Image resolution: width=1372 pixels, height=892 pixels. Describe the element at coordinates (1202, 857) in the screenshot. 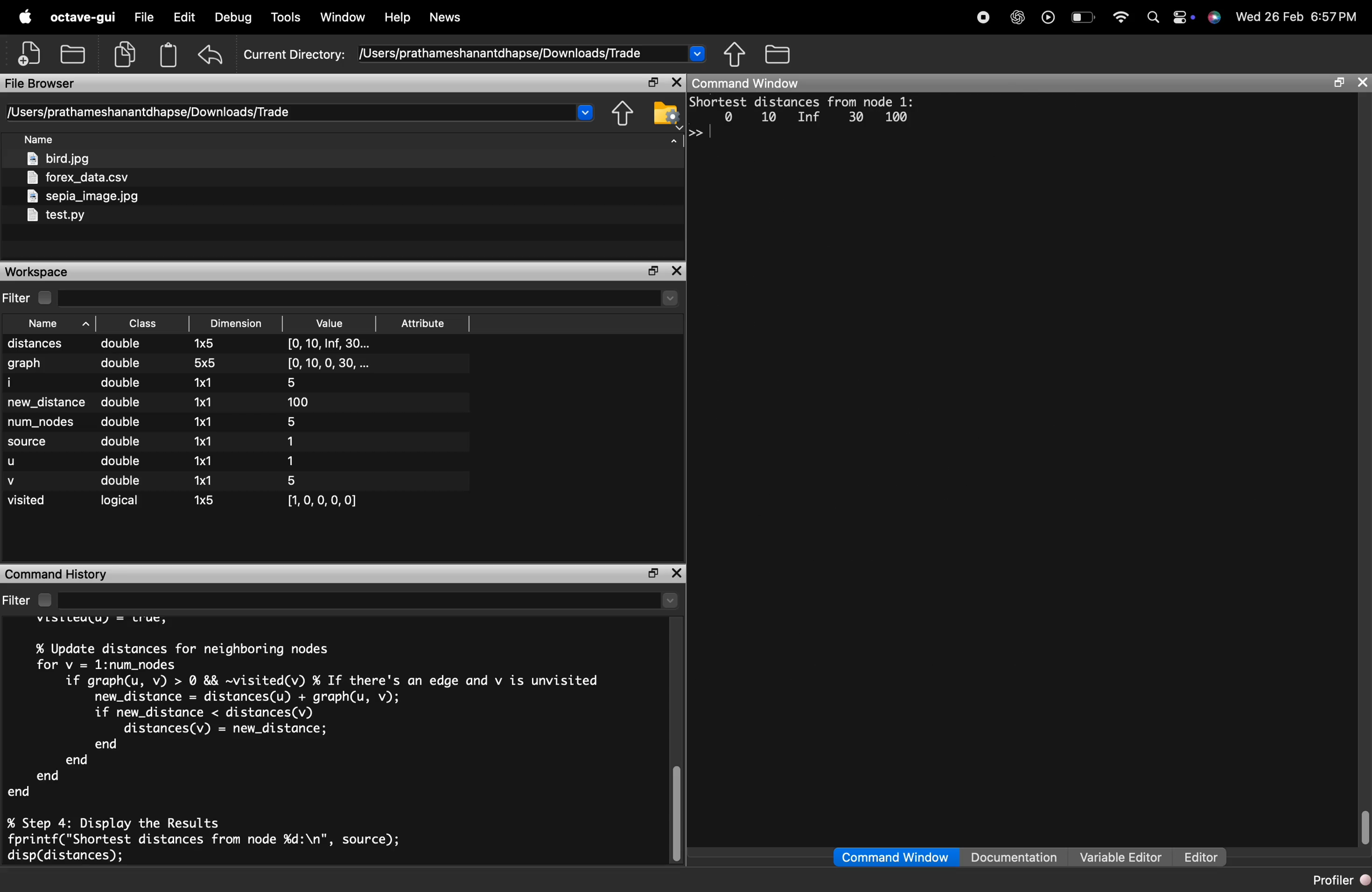

I see `editor` at that location.